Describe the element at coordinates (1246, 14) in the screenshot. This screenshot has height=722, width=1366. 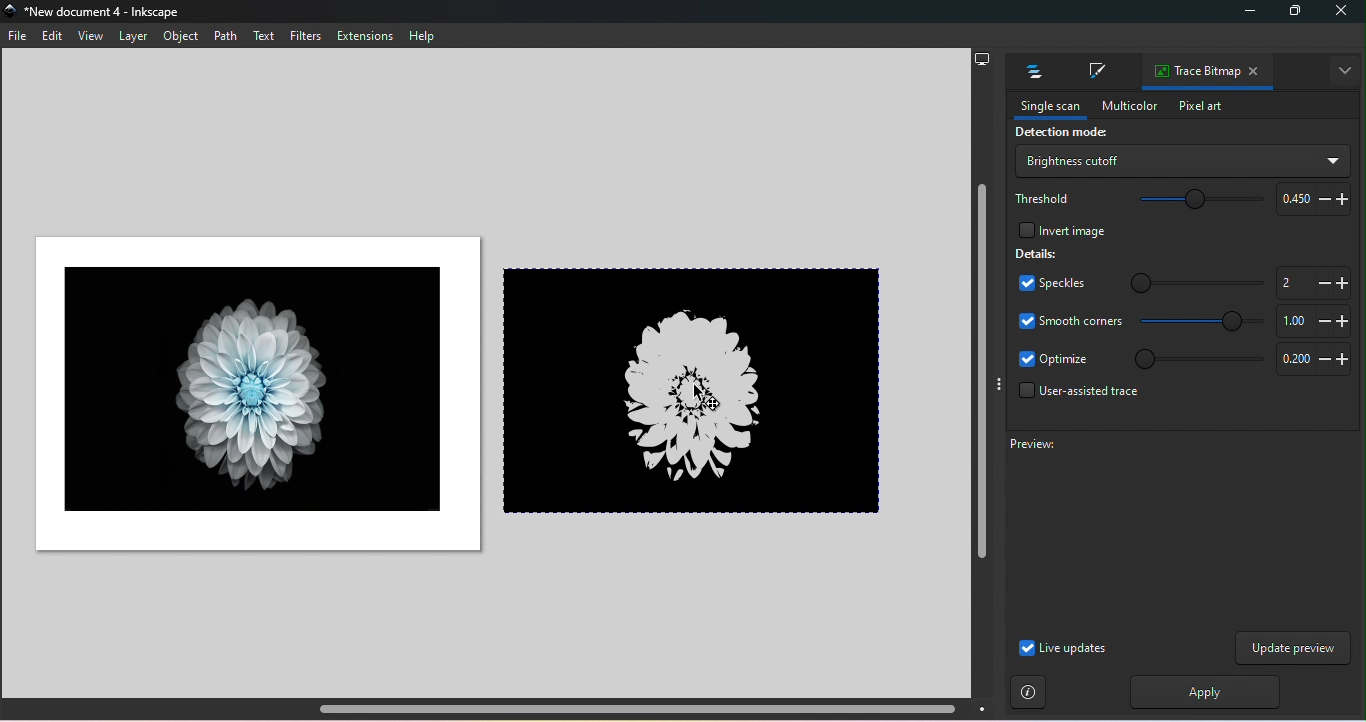
I see `Minimize` at that location.